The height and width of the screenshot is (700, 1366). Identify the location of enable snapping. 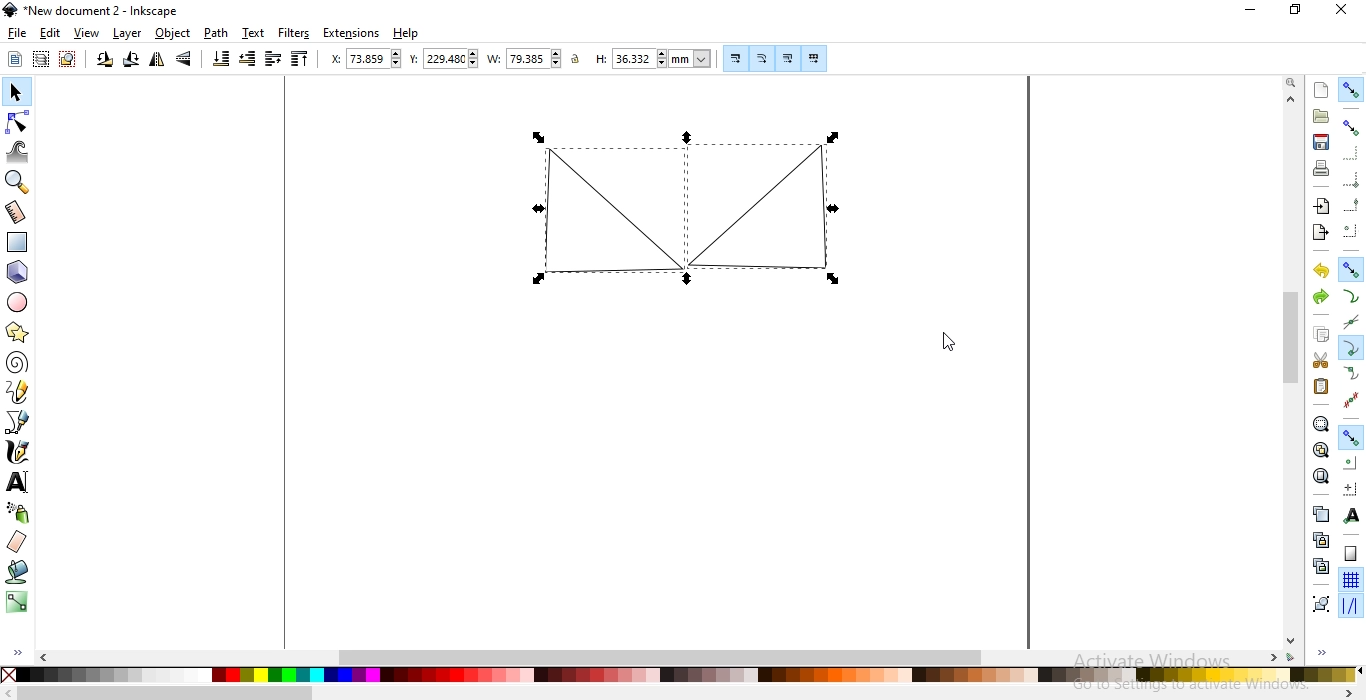
(1352, 91).